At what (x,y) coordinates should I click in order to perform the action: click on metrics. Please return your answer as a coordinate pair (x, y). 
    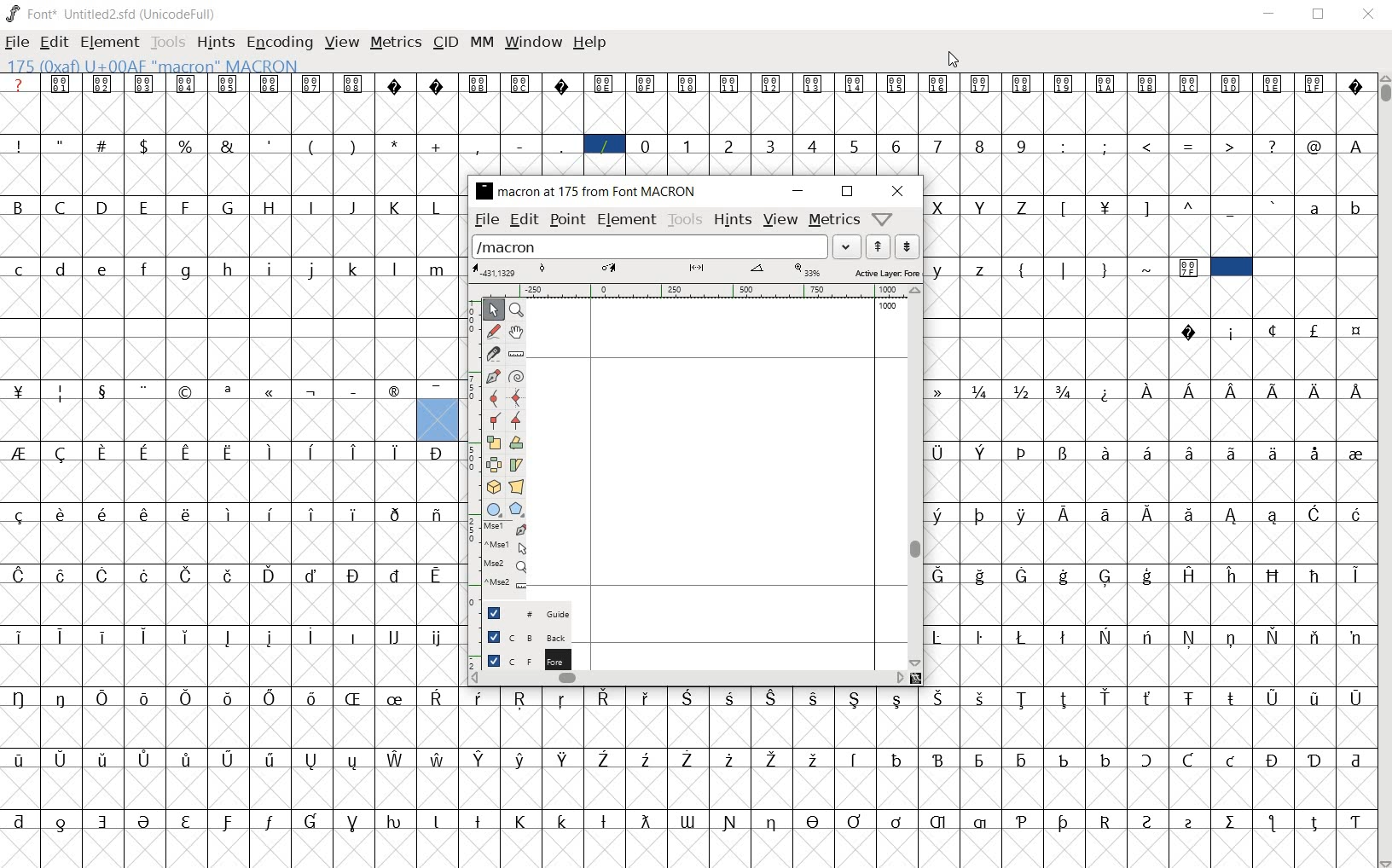
    Looking at the image, I should click on (833, 220).